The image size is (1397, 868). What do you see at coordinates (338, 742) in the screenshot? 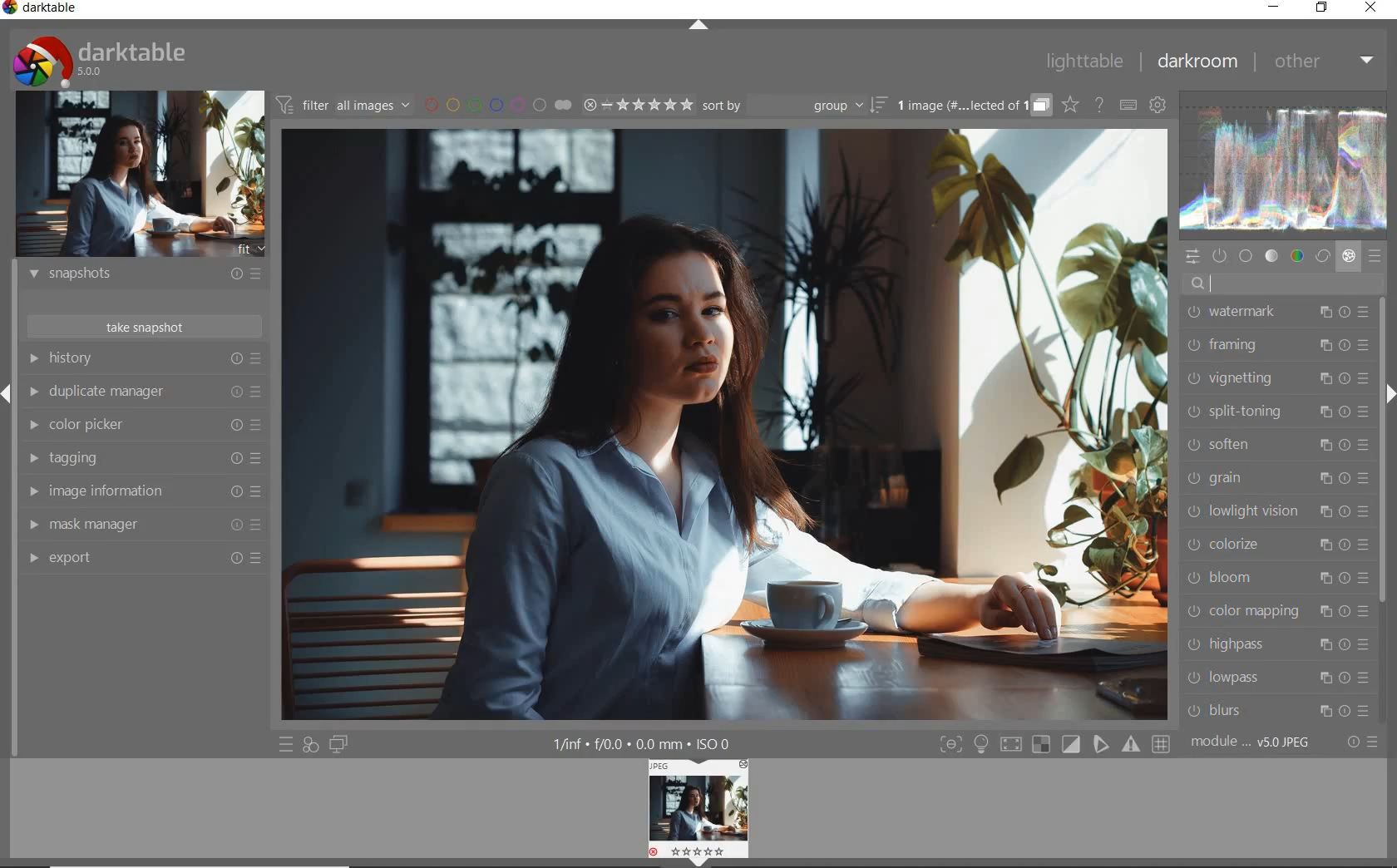
I see `display a second darkroom image window` at bounding box center [338, 742].